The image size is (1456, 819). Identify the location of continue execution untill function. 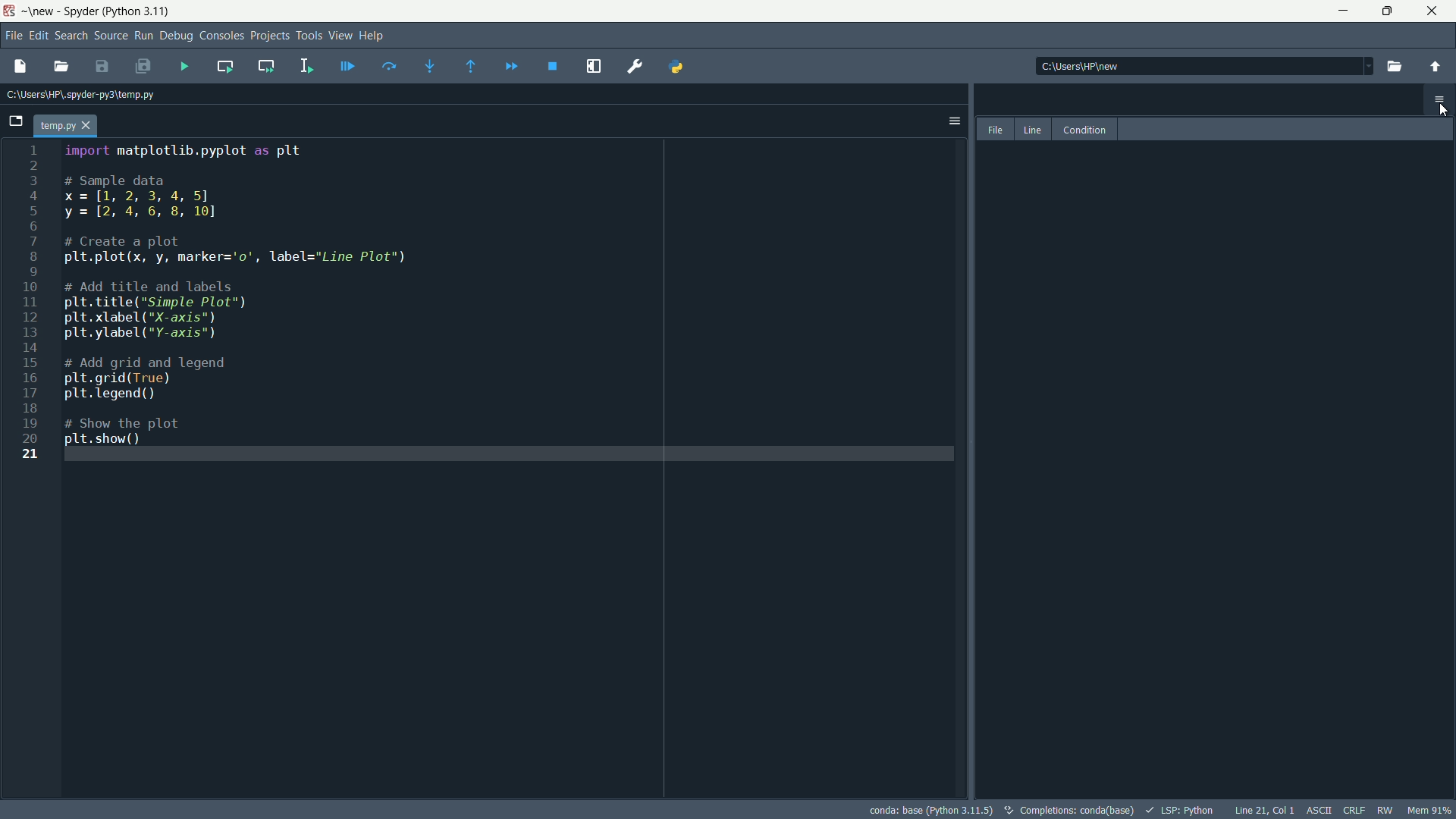
(468, 66).